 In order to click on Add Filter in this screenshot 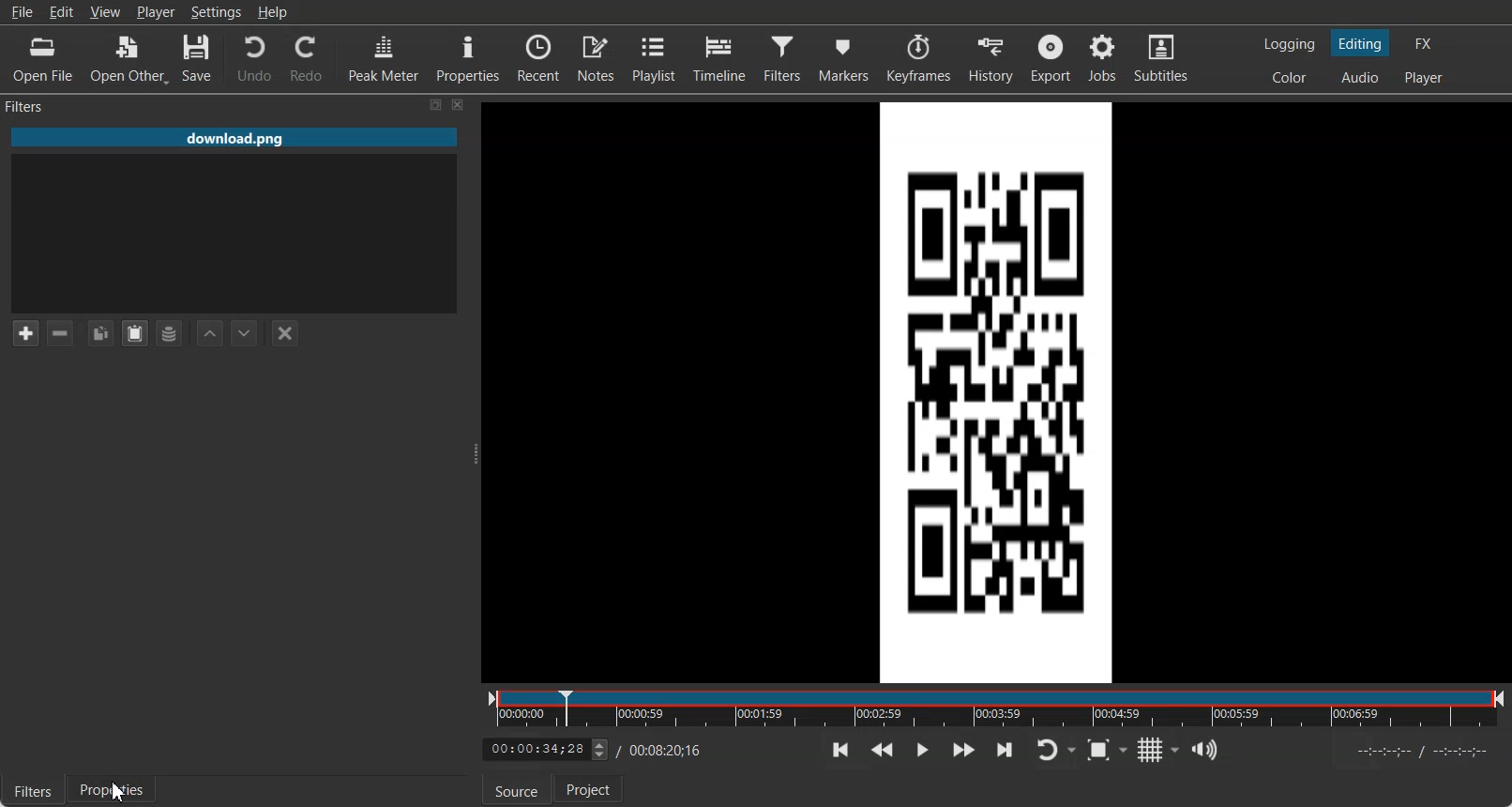, I will do `click(25, 333)`.